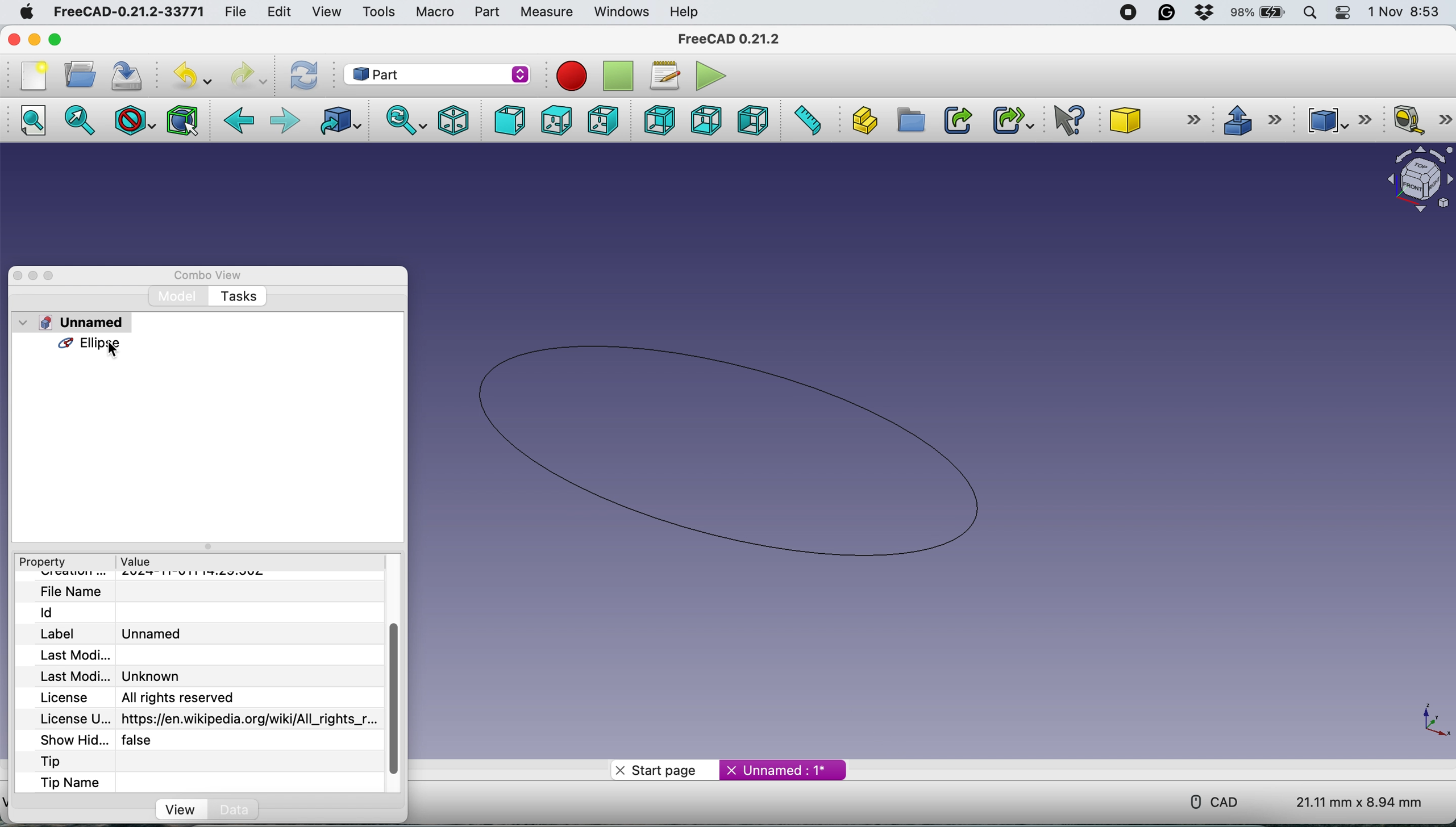 This screenshot has width=1456, height=827. What do you see at coordinates (81, 654) in the screenshot?
I see `last modified` at bounding box center [81, 654].